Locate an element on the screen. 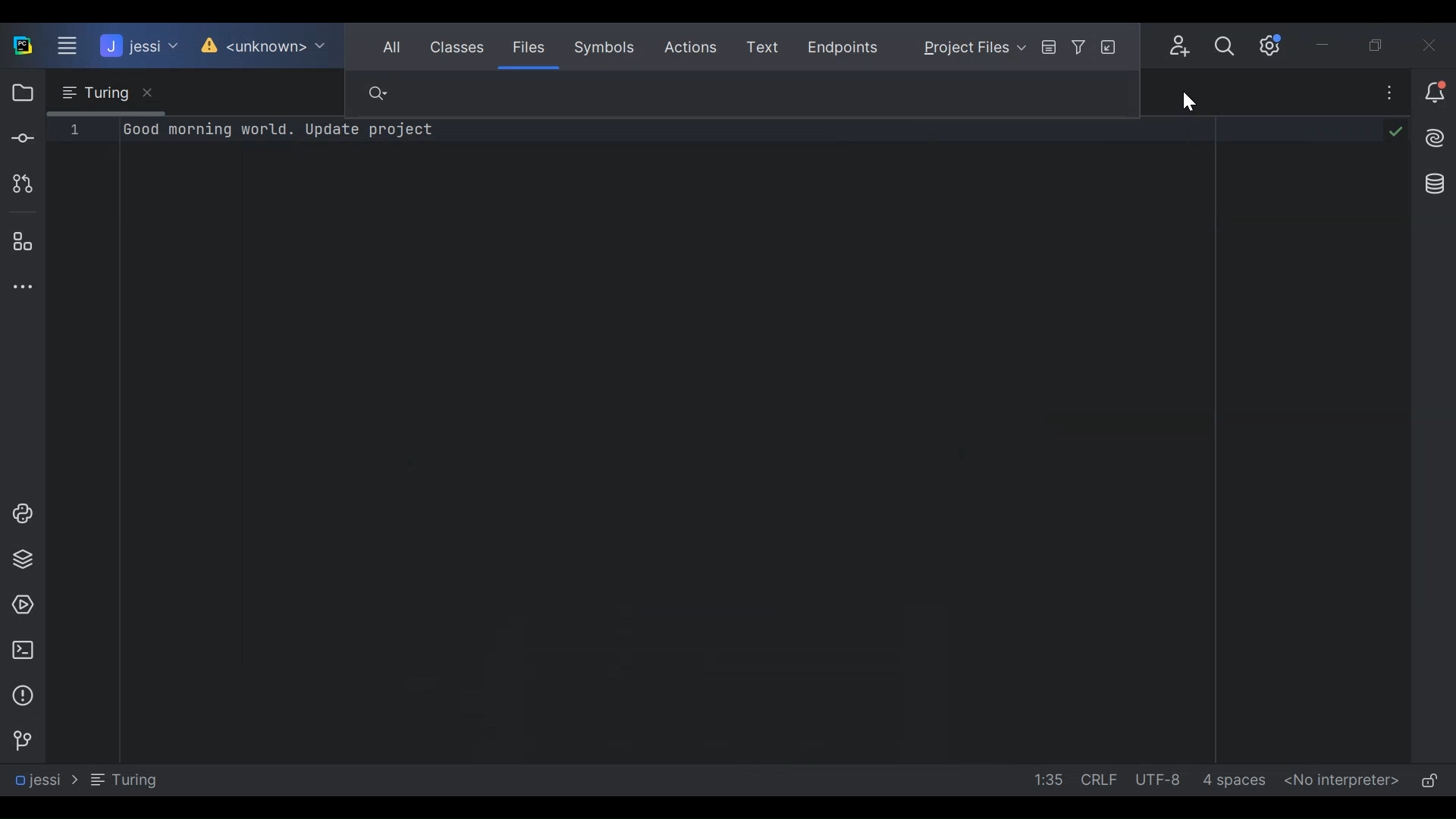 The image size is (1456, 819). Preview is located at coordinates (1046, 50).